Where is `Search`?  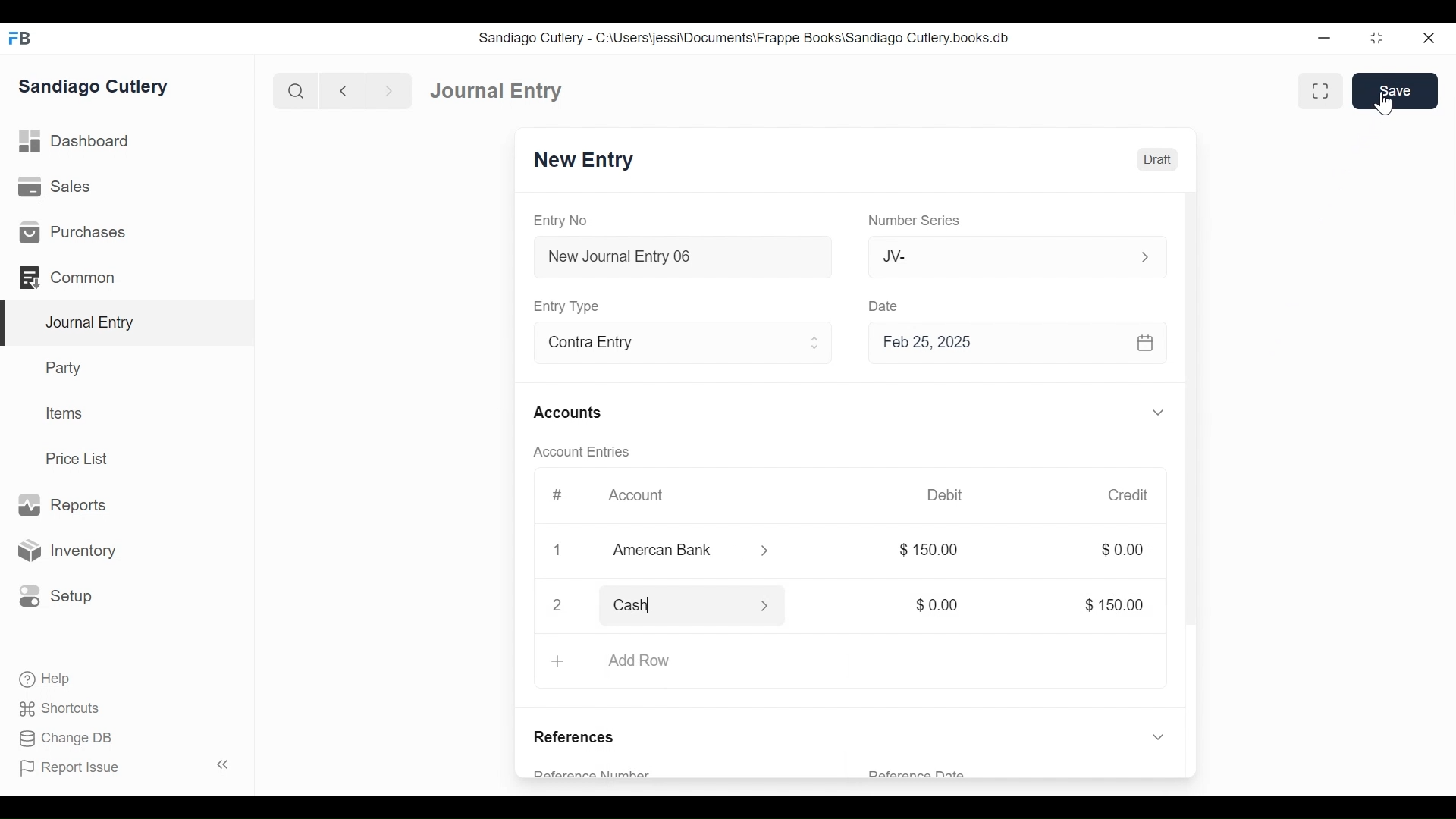 Search is located at coordinates (297, 91).